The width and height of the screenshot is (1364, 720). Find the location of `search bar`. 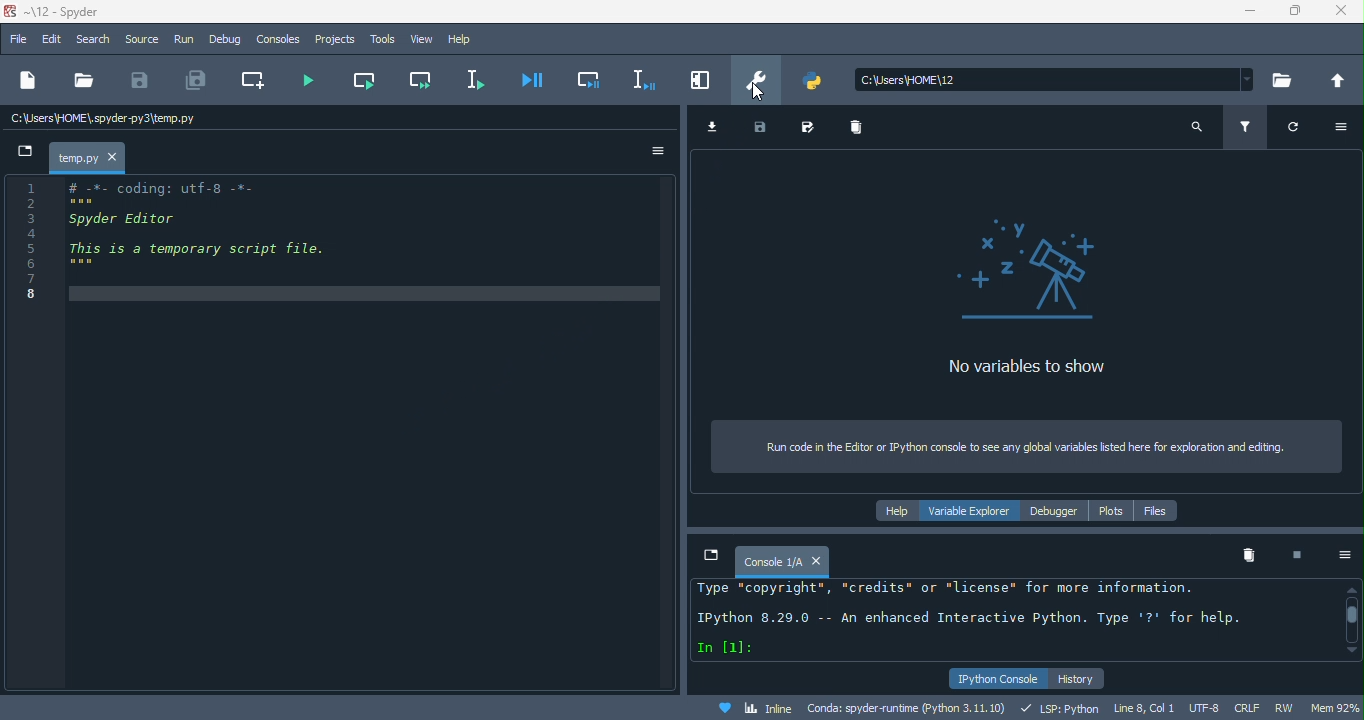

search bar is located at coordinates (1057, 79).